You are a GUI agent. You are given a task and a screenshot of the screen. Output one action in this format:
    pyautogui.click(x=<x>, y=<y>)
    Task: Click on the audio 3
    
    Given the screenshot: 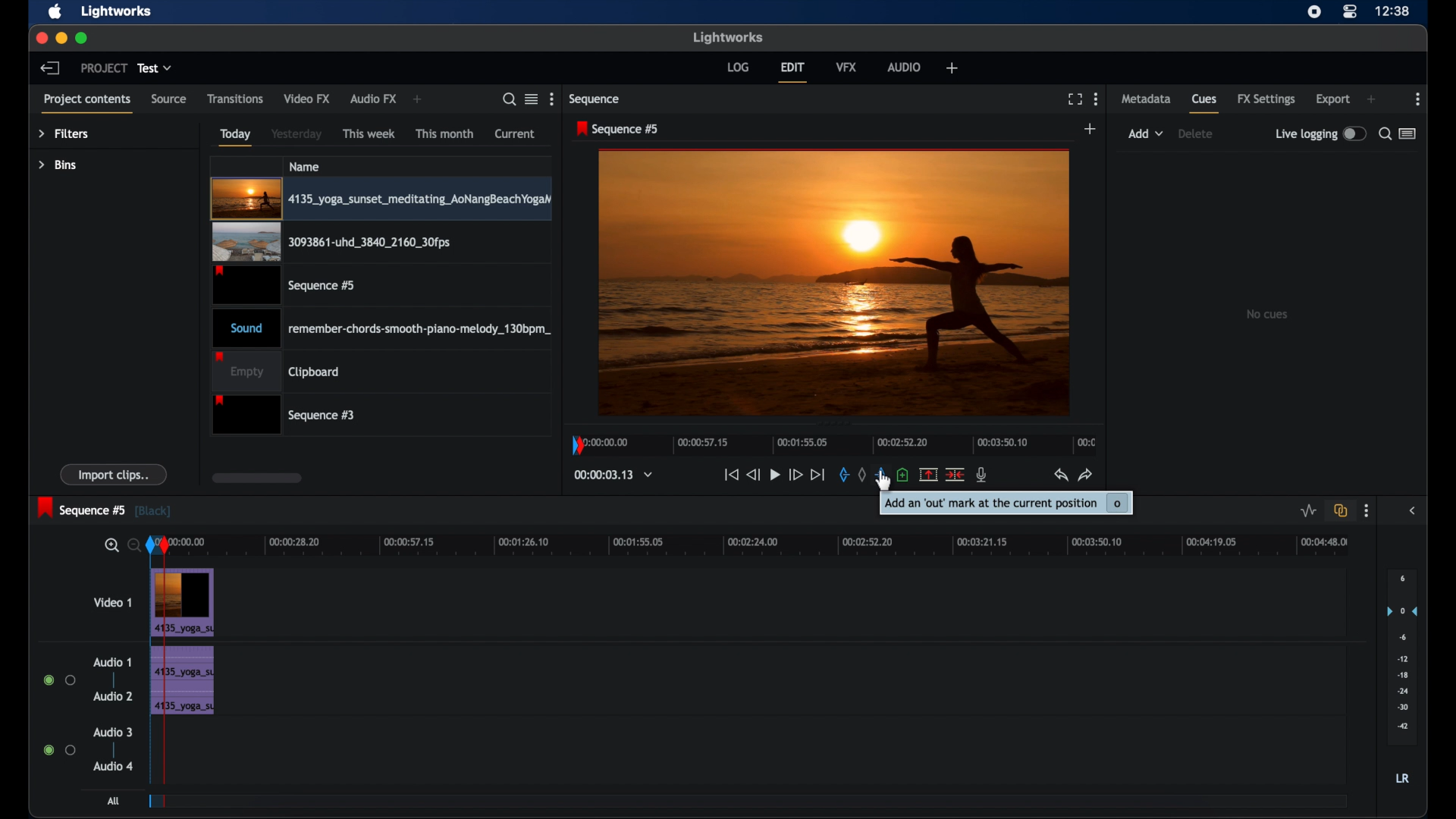 What is the action you would take?
    pyautogui.click(x=111, y=733)
    